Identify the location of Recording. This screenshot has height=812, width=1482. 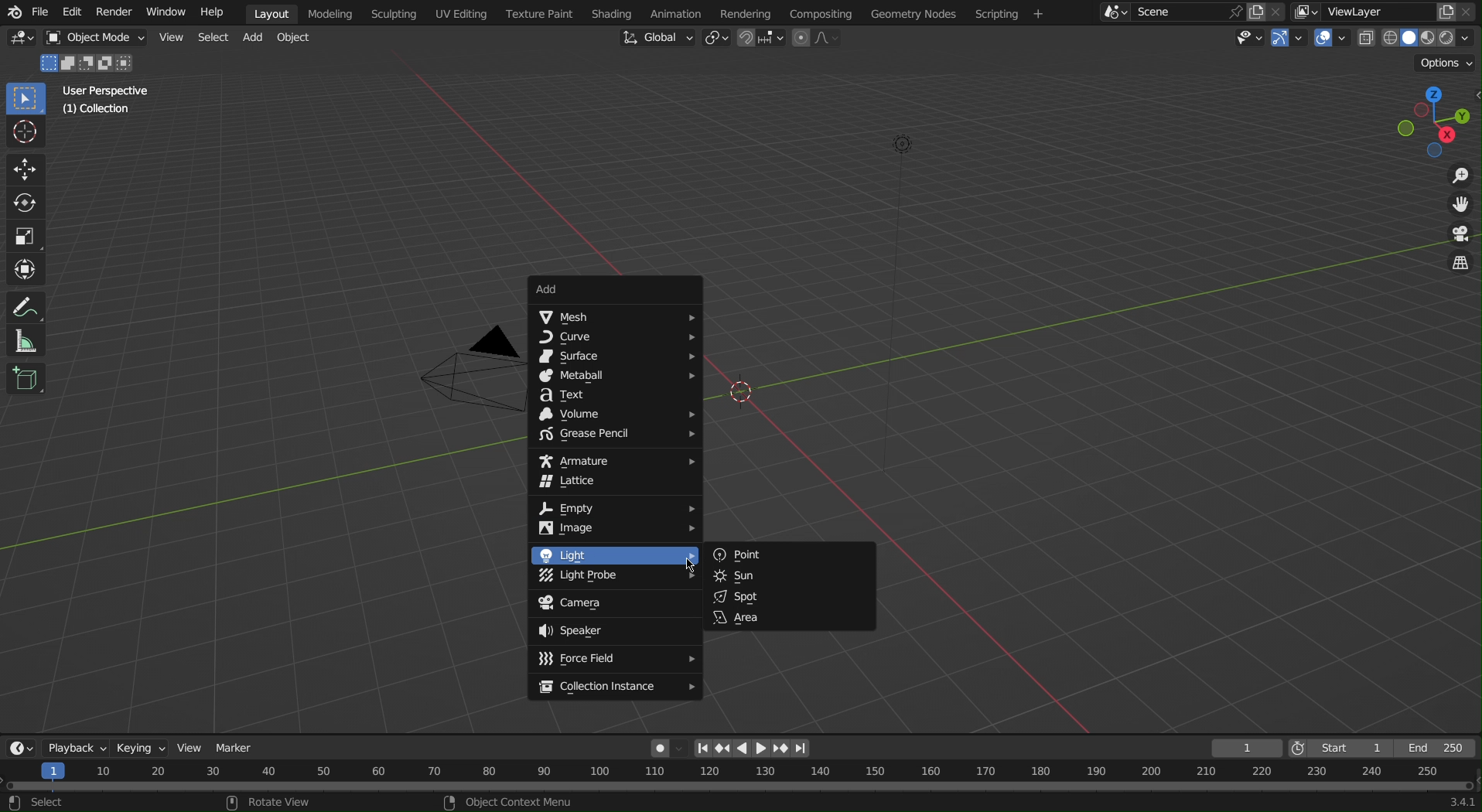
(667, 747).